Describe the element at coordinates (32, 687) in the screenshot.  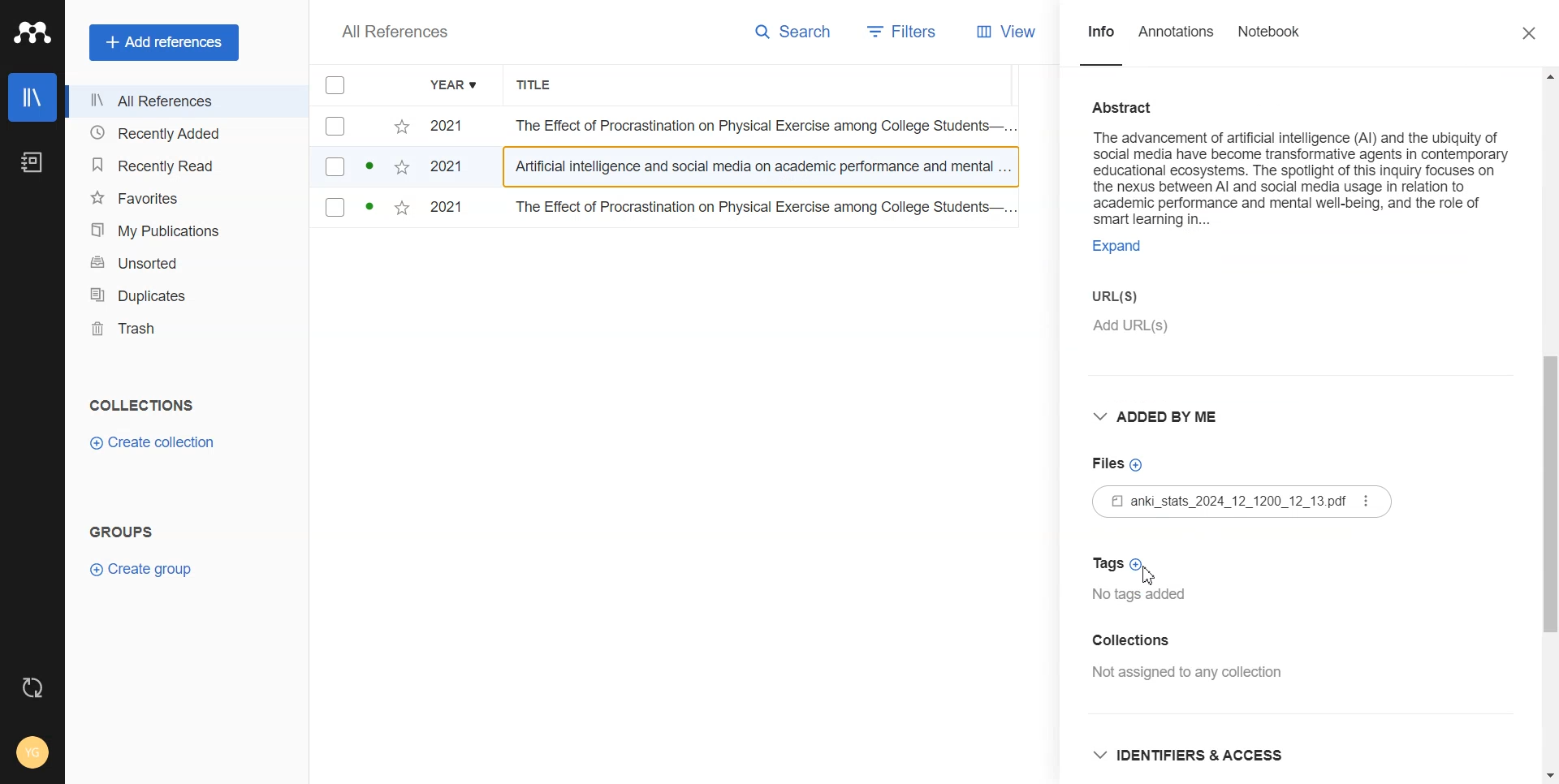
I see `Auto sync` at that location.